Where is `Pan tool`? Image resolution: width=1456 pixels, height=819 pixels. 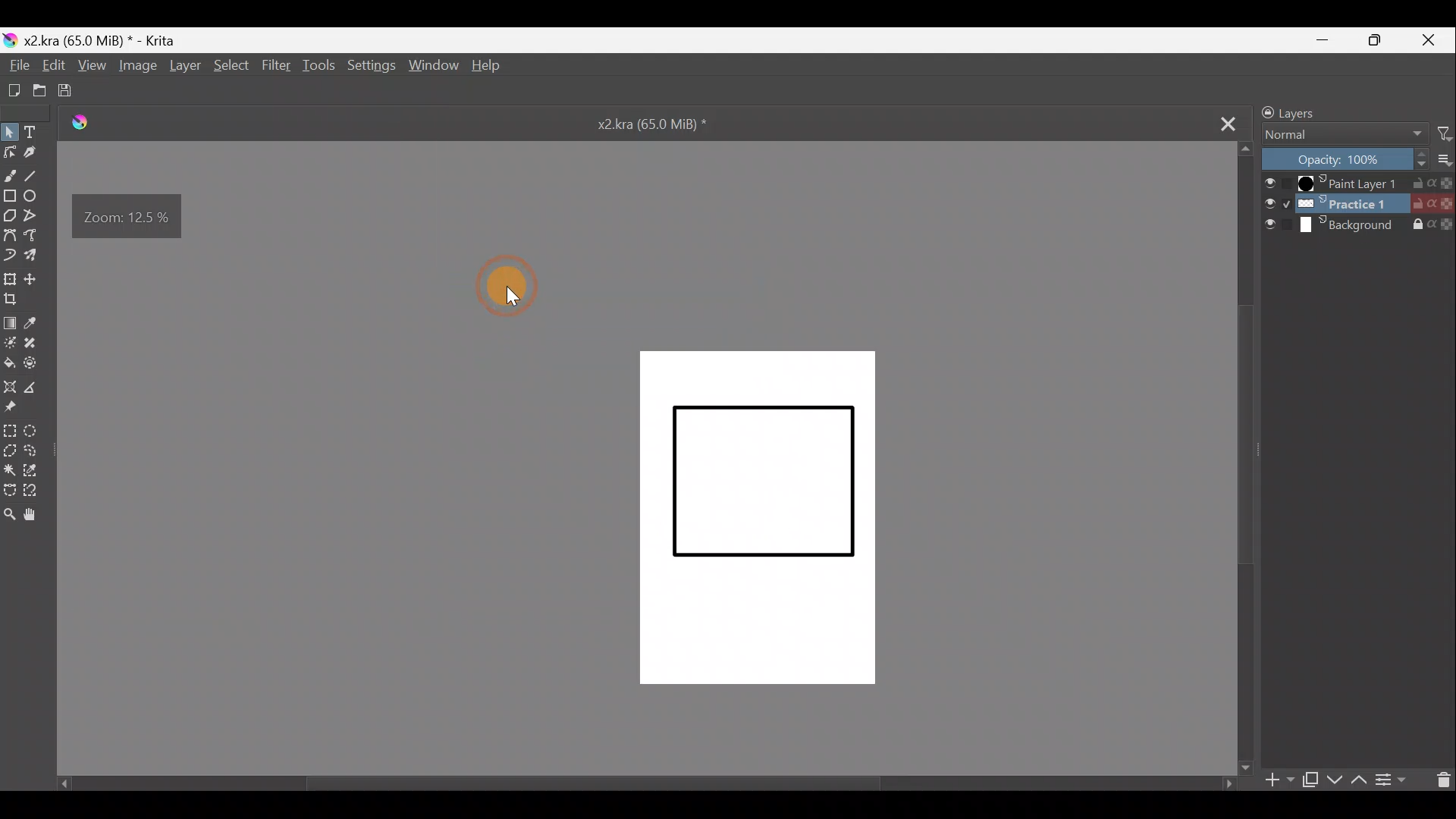
Pan tool is located at coordinates (42, 516).